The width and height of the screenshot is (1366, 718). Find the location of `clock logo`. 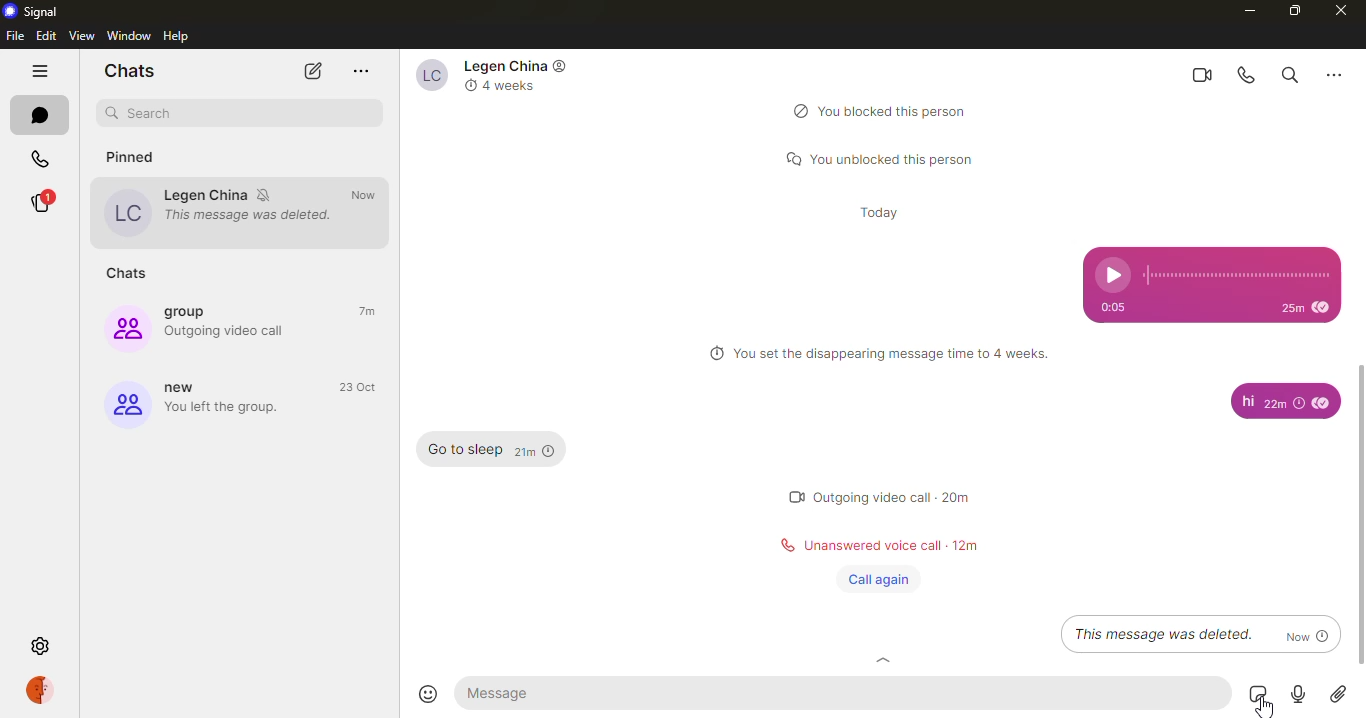

clock logo is located at coordinates (469, 85).